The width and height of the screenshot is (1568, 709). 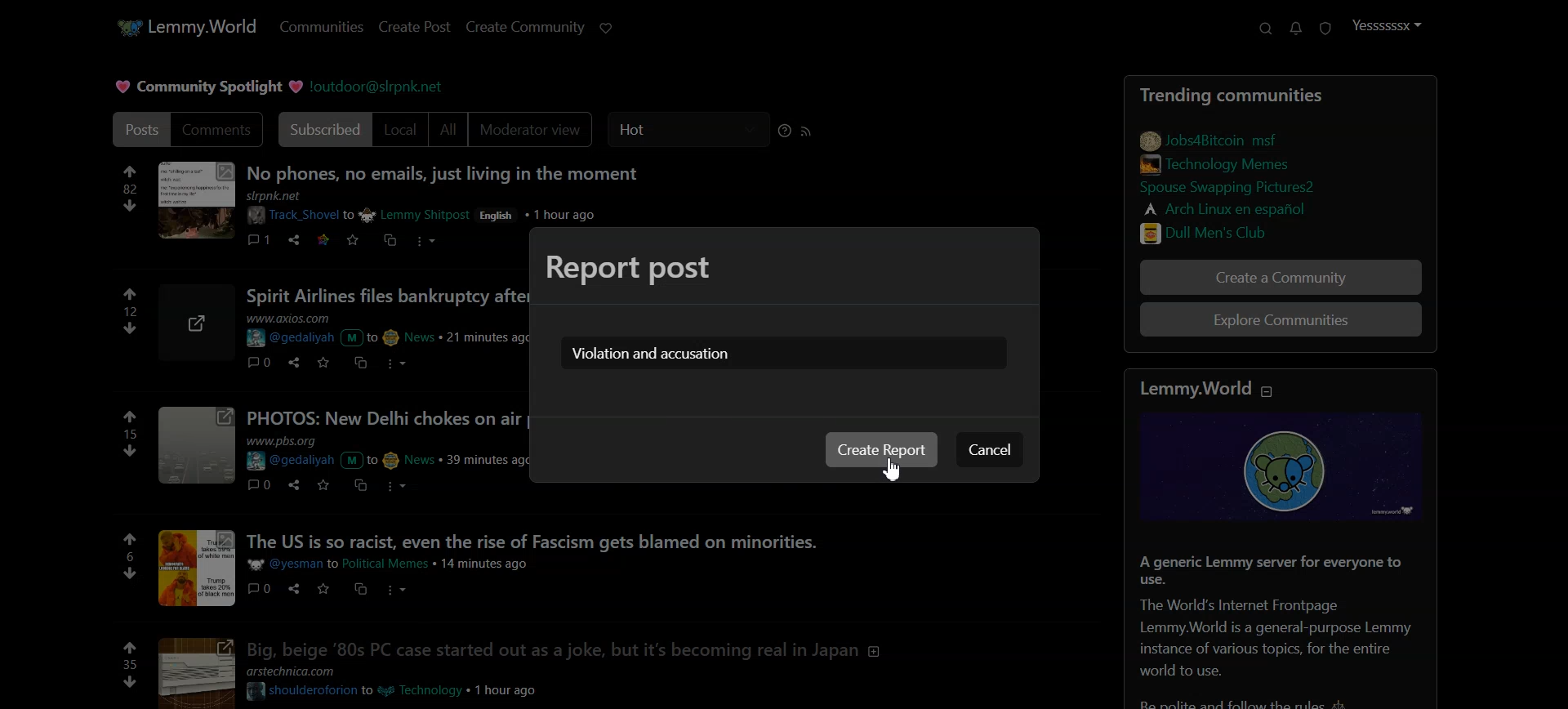 What do you see at coordinates (127, 573) in the screenshot?
I see `downvote` at bounding box center [127, 573].